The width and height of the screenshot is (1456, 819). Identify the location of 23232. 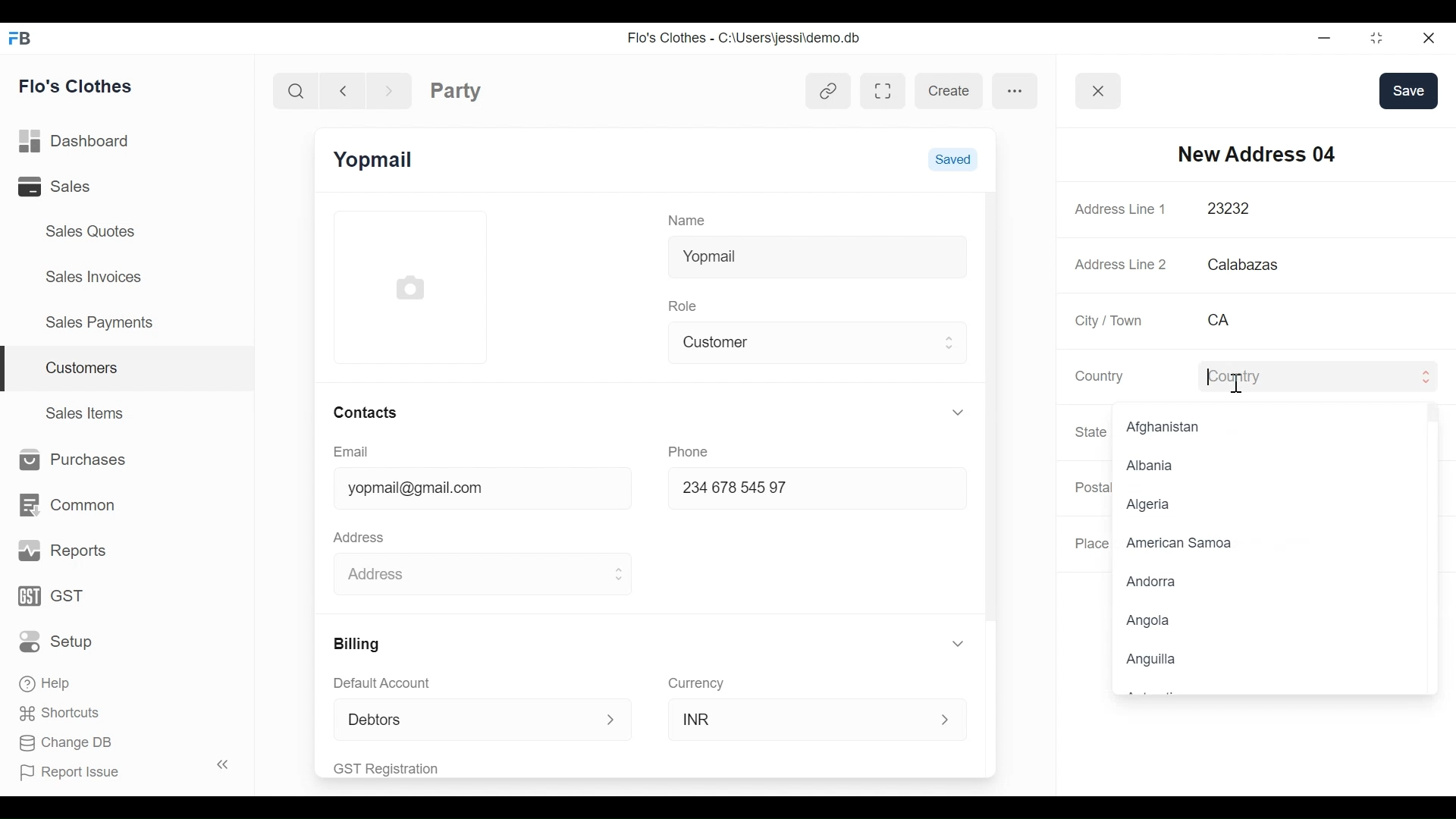
(1302, 209).